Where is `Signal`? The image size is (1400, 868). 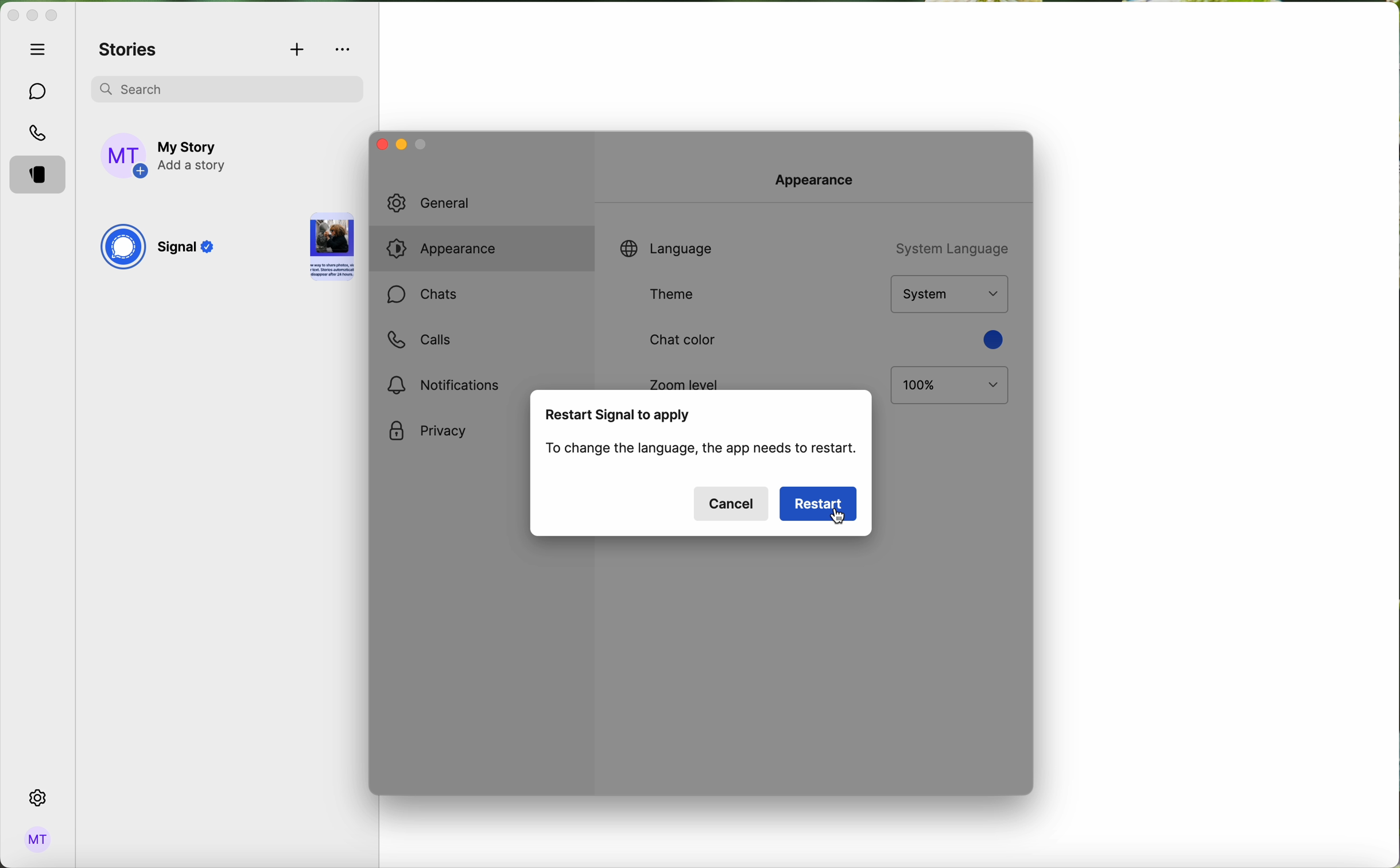 Signal is located at coordinates (189, 250).